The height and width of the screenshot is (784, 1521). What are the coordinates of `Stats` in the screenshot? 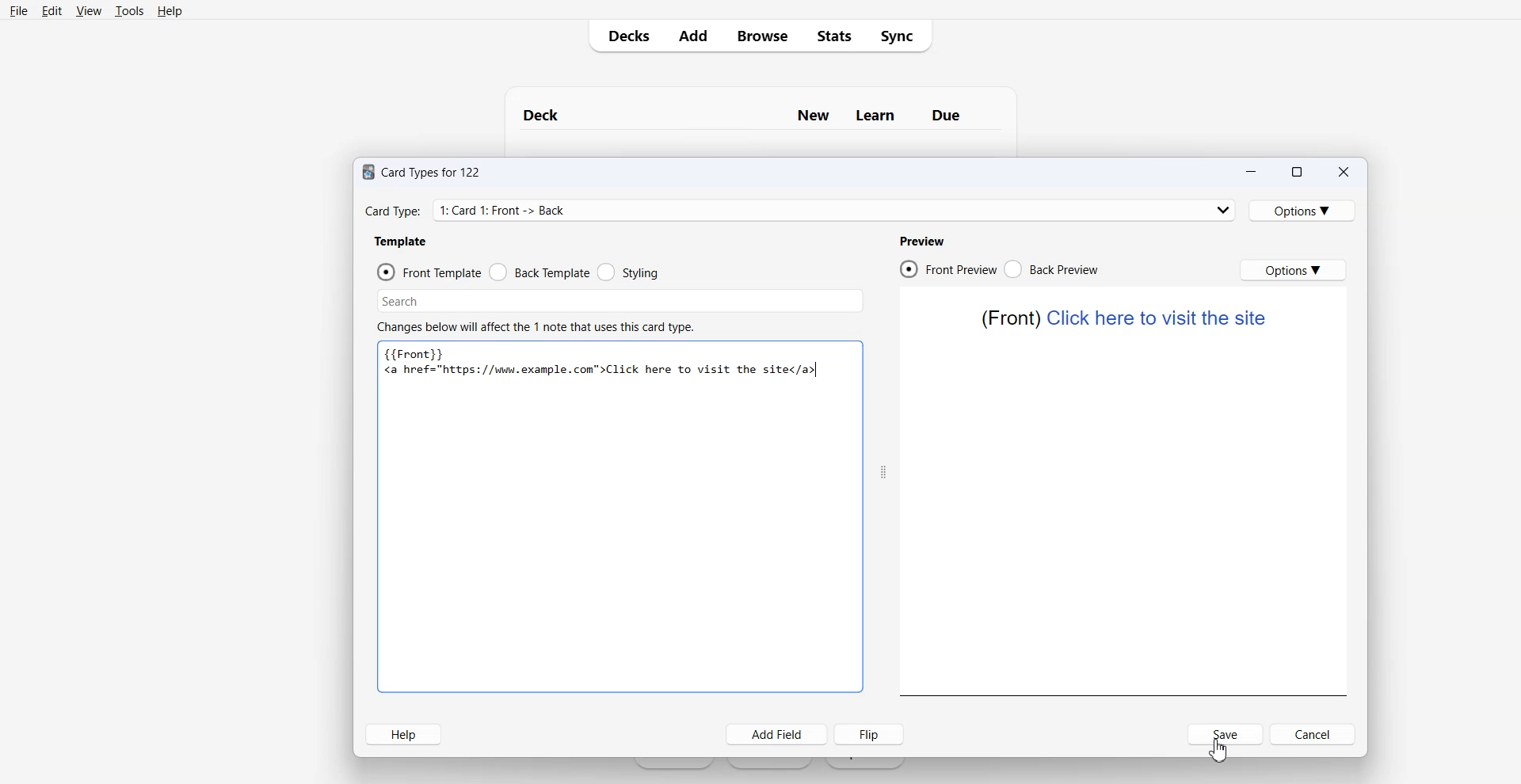 It's located at (834, 36).